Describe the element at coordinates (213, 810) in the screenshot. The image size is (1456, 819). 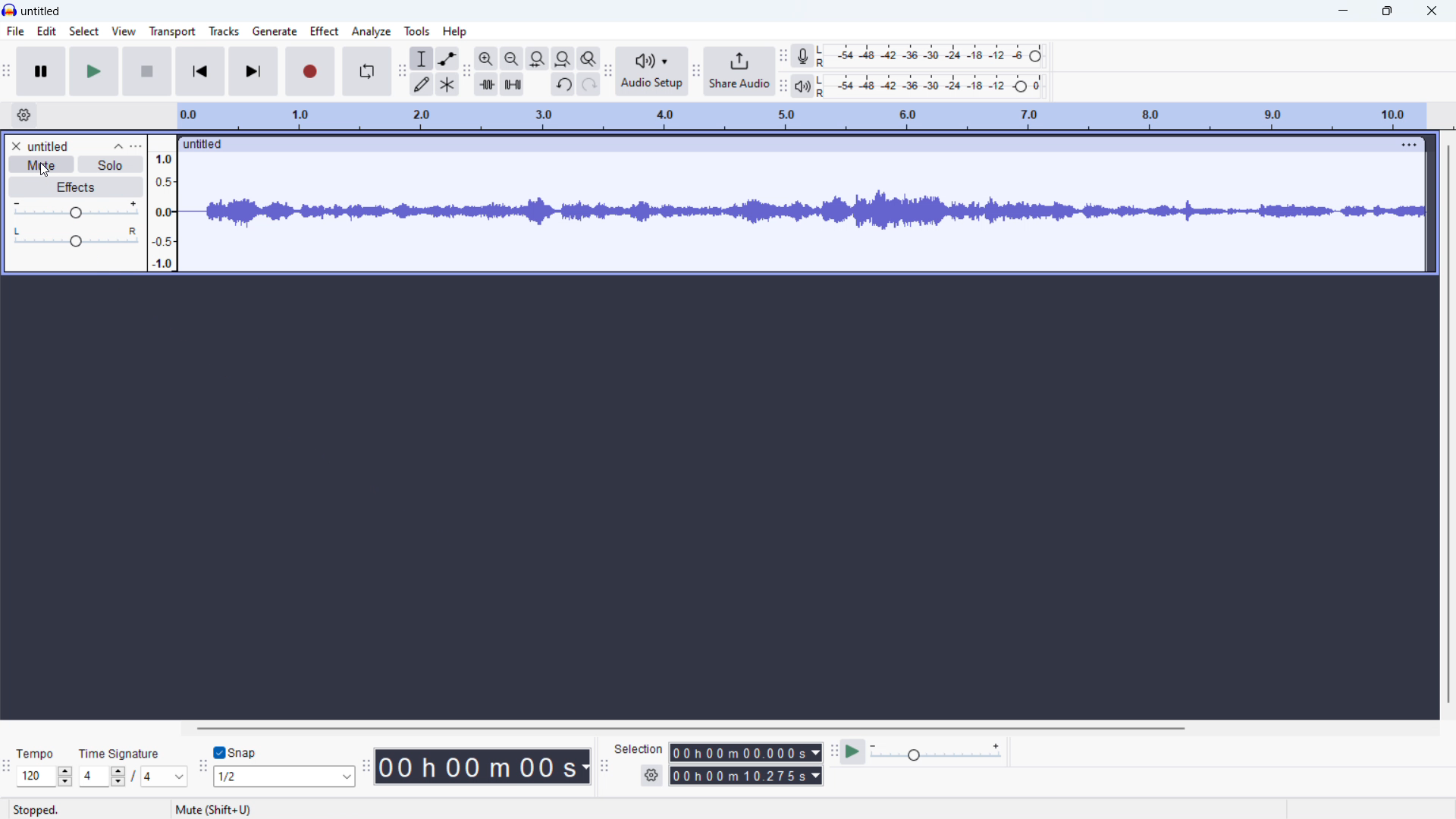
I see `mute (shift+u)` at that location.